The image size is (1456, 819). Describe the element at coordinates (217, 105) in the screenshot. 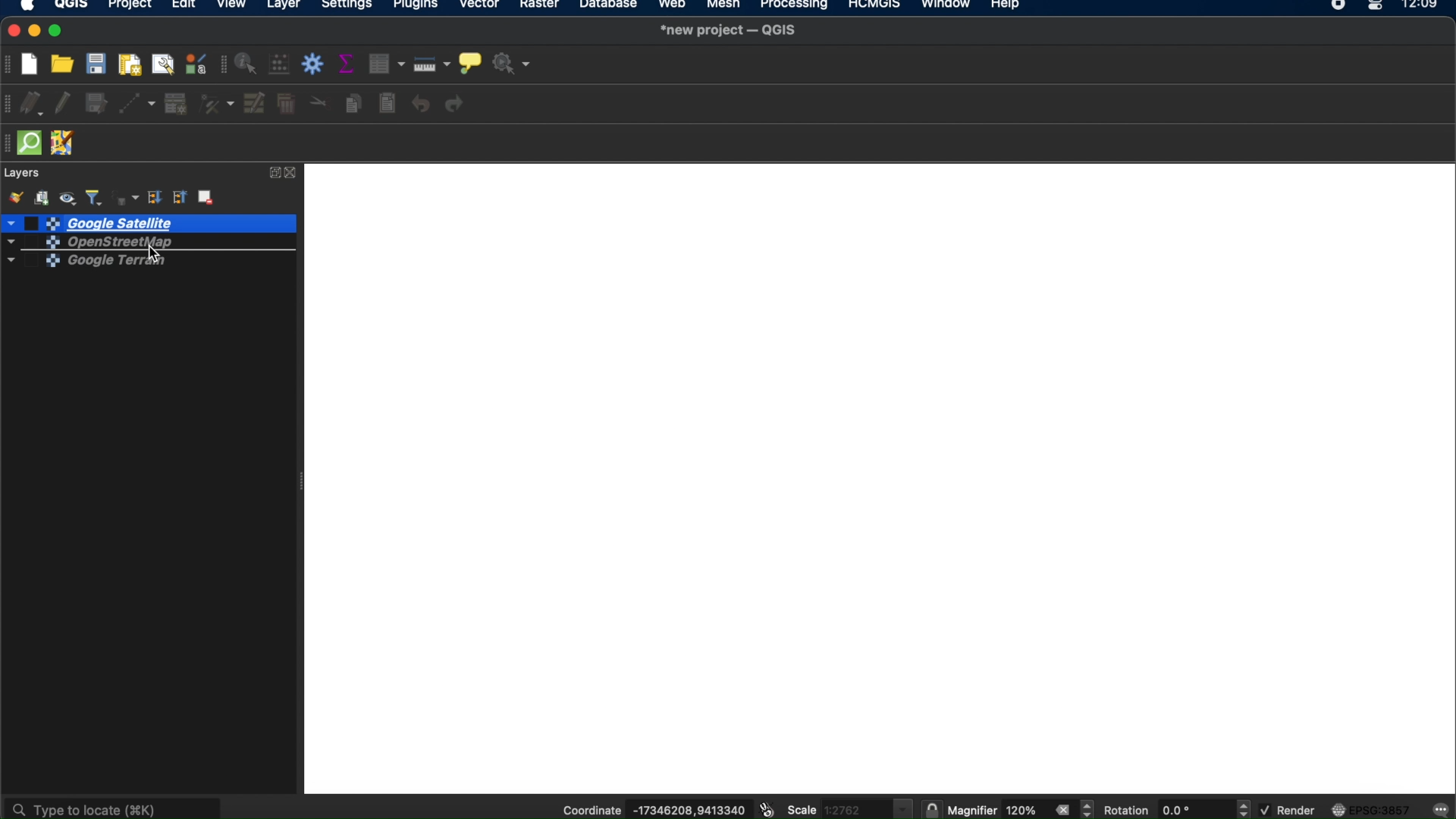

I see `vertex tool` at that location.